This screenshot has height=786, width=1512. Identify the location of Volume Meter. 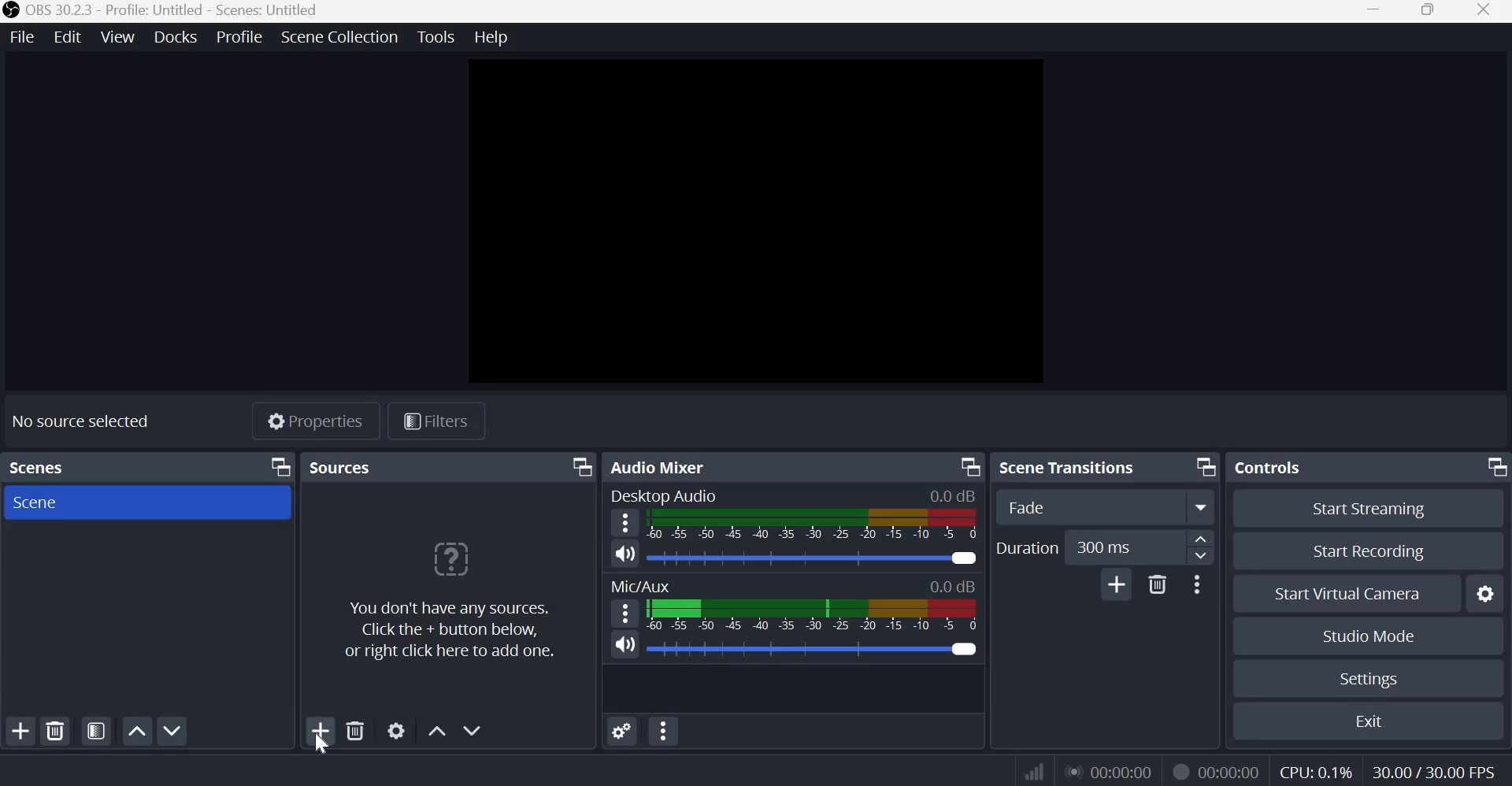
(811, 525).